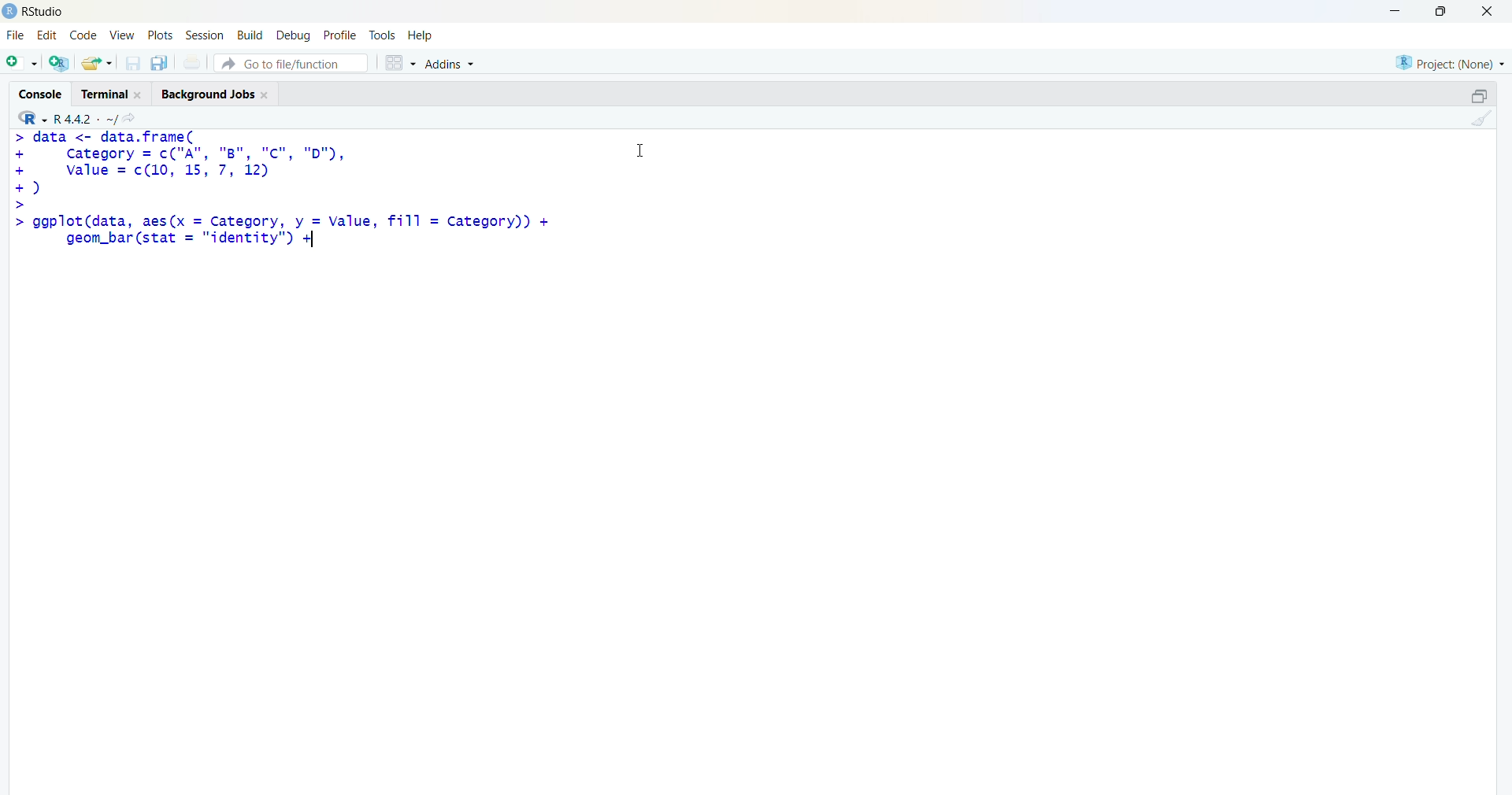 The image size is (1512, 795). What do you see at coordinates (249, 35) in the screenshot?
I see `build` at bounding box center [249, 35].